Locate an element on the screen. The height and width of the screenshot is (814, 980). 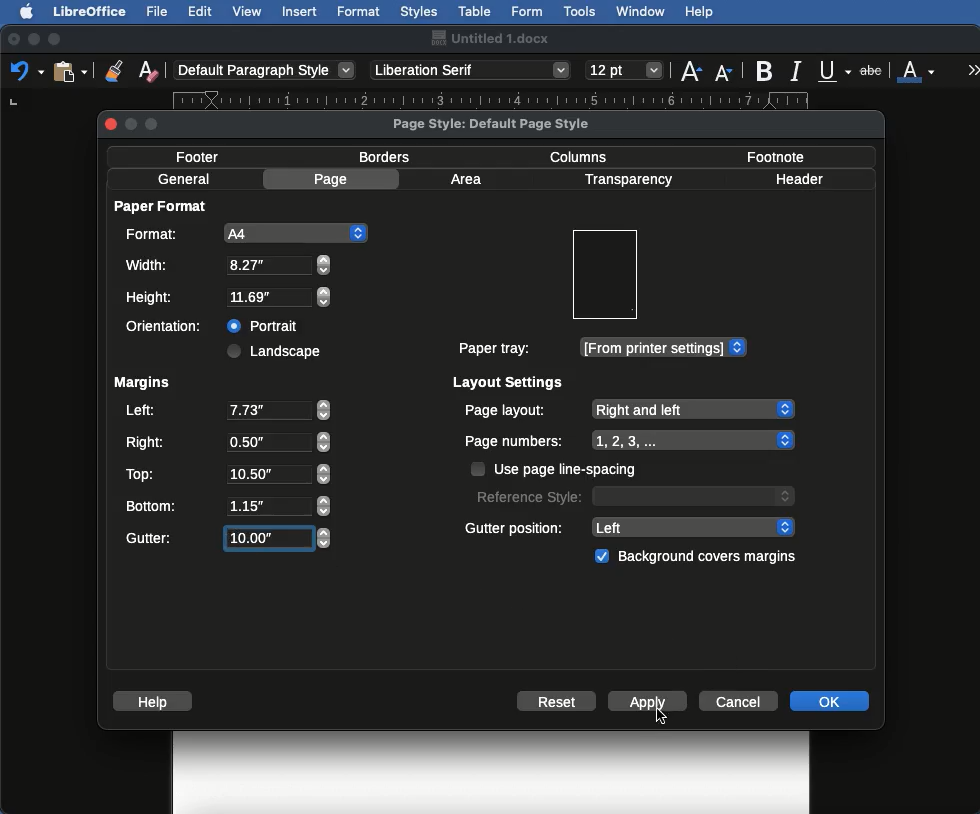
Height is located at coordinates (229, 298).